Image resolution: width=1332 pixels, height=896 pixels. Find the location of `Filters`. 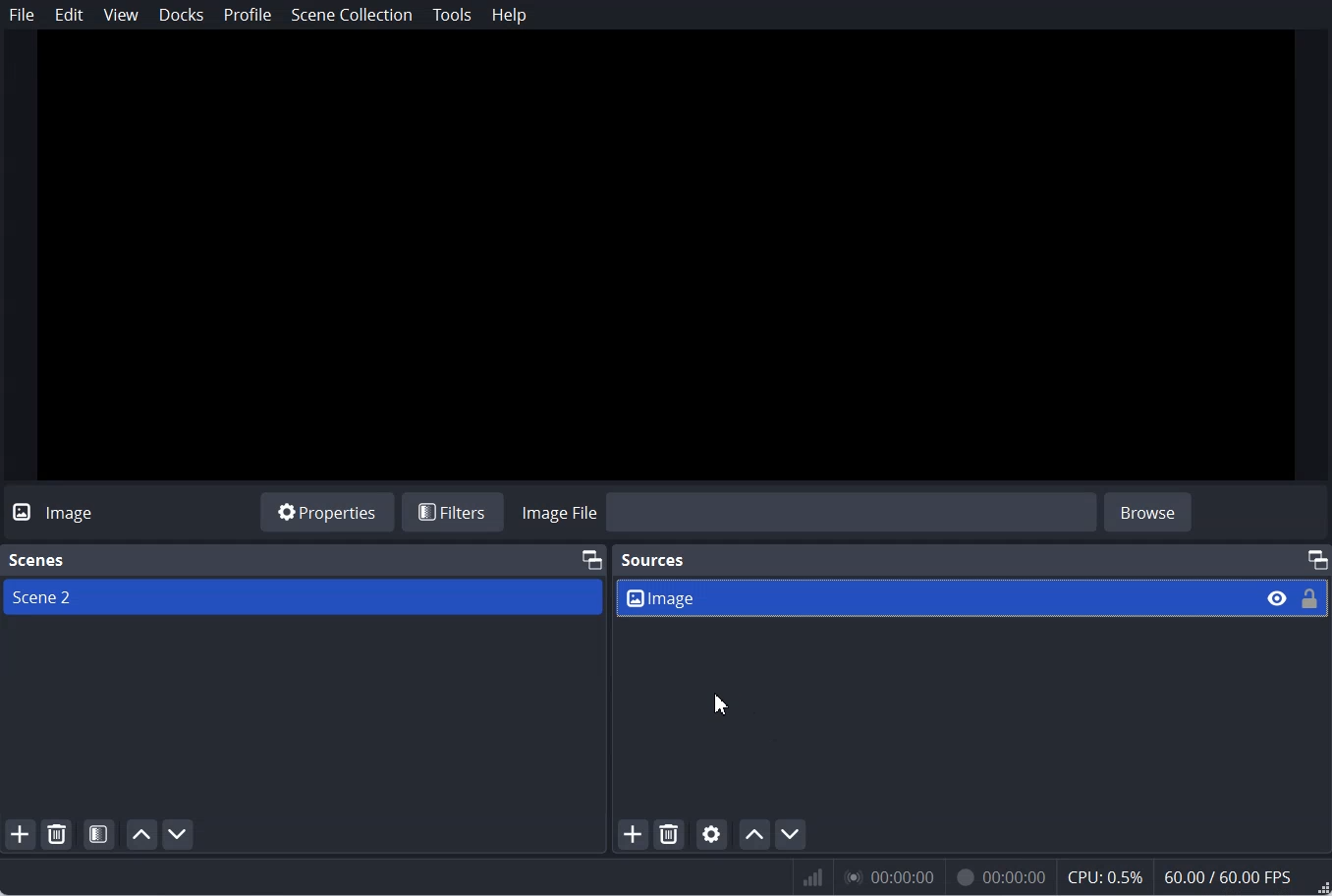

Filters is located at coordinates (452, 511).